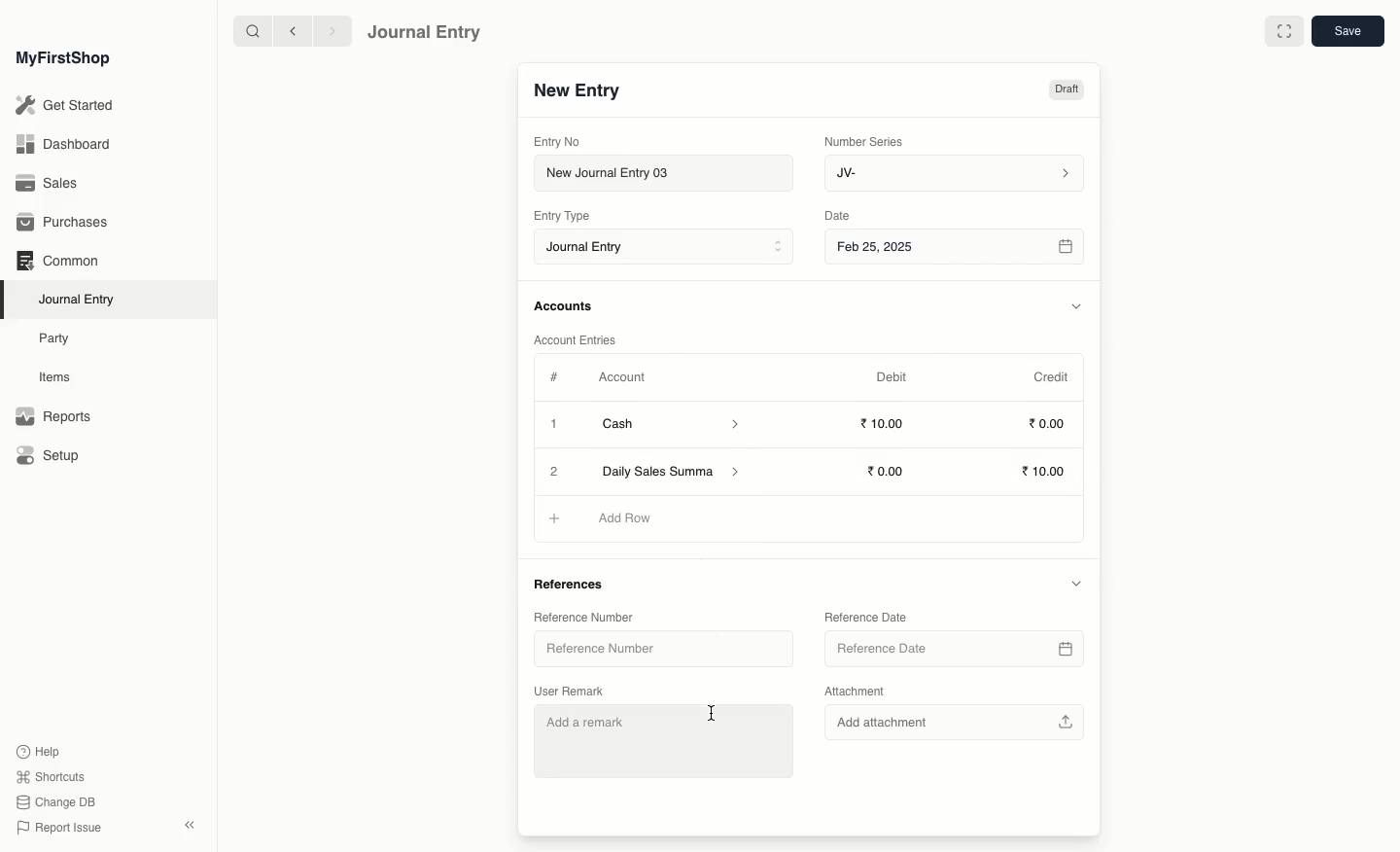  What do you see at coordinates (1282, 32) in the screenshot?
I see `Full width toggle` at bounding box center [1282, 32].